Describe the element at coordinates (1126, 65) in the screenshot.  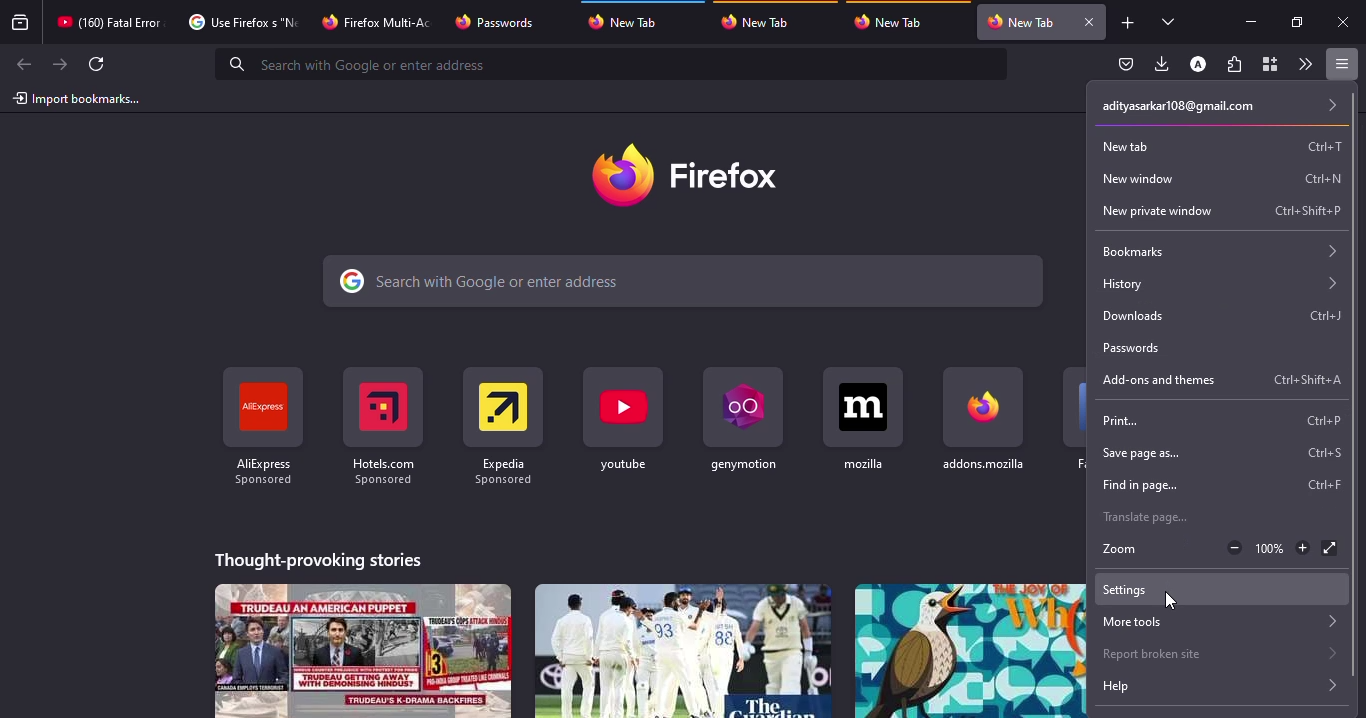
I see `save to pocket` at that location.